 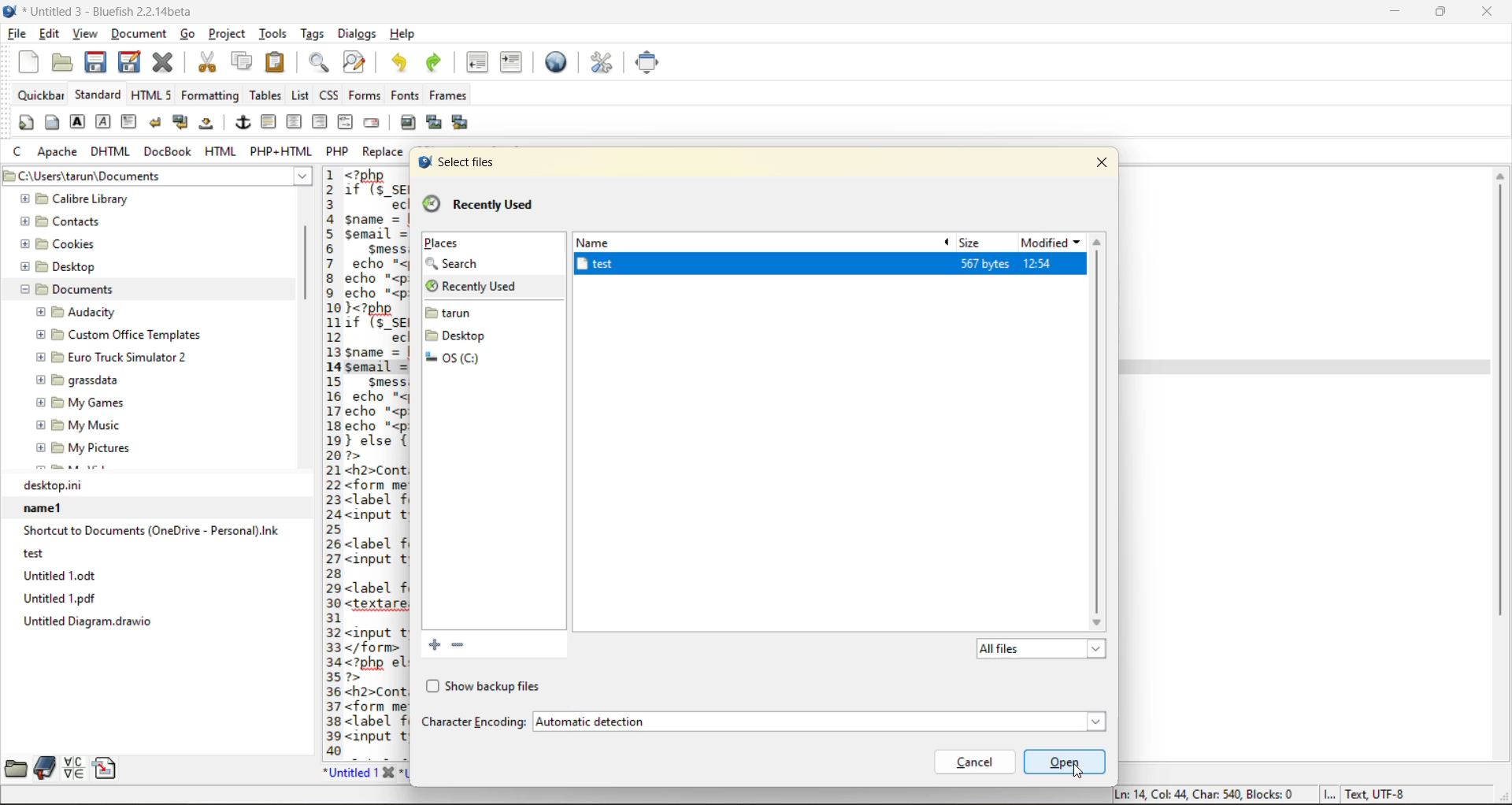 What do you see at coordinates (1052, 265) in the screenshot?
I see `time of modification` at bounding box center [1052, 265].